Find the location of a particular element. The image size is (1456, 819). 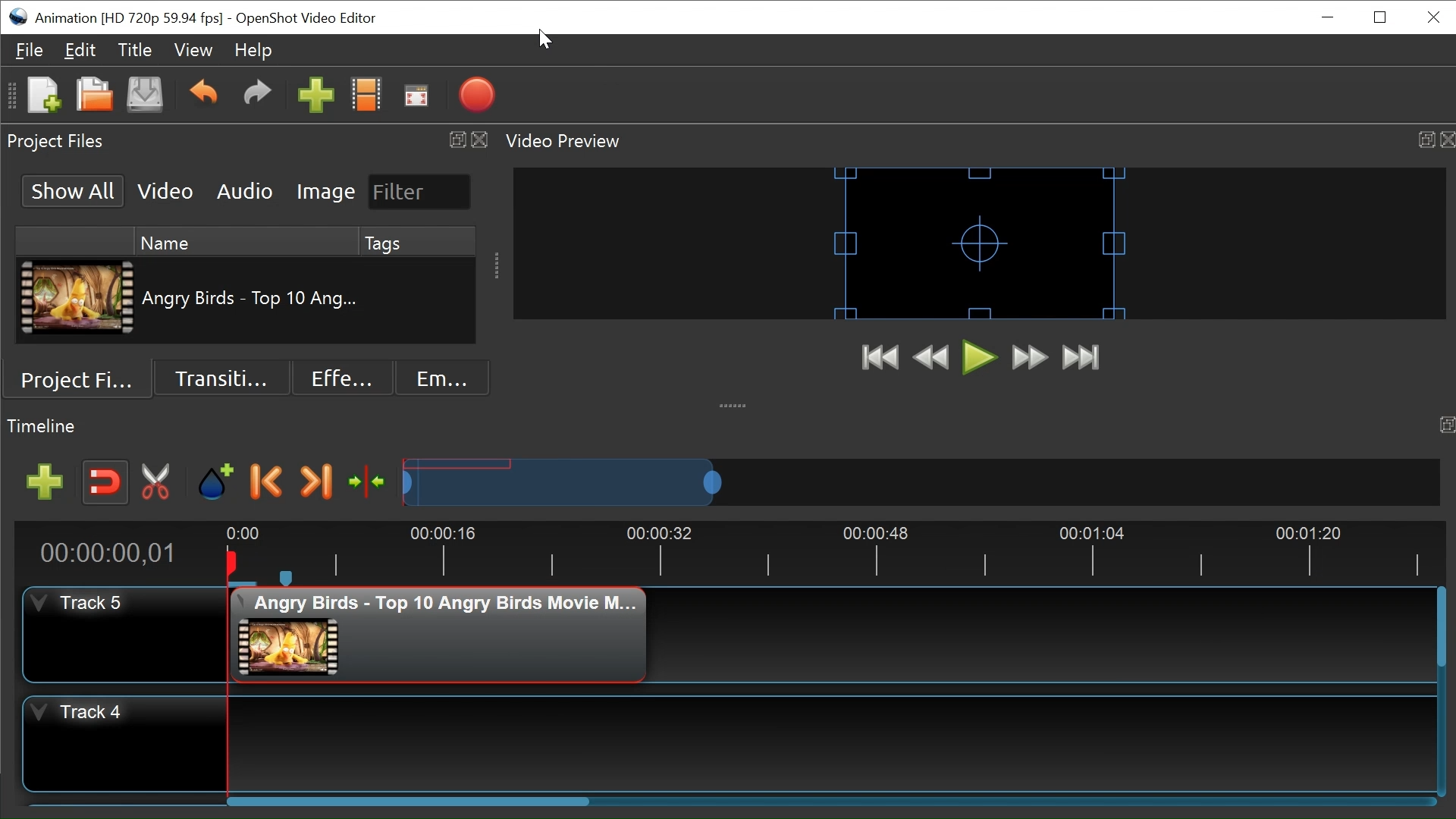

Vertical Scroll bar is located at coordinates (1442, 631).